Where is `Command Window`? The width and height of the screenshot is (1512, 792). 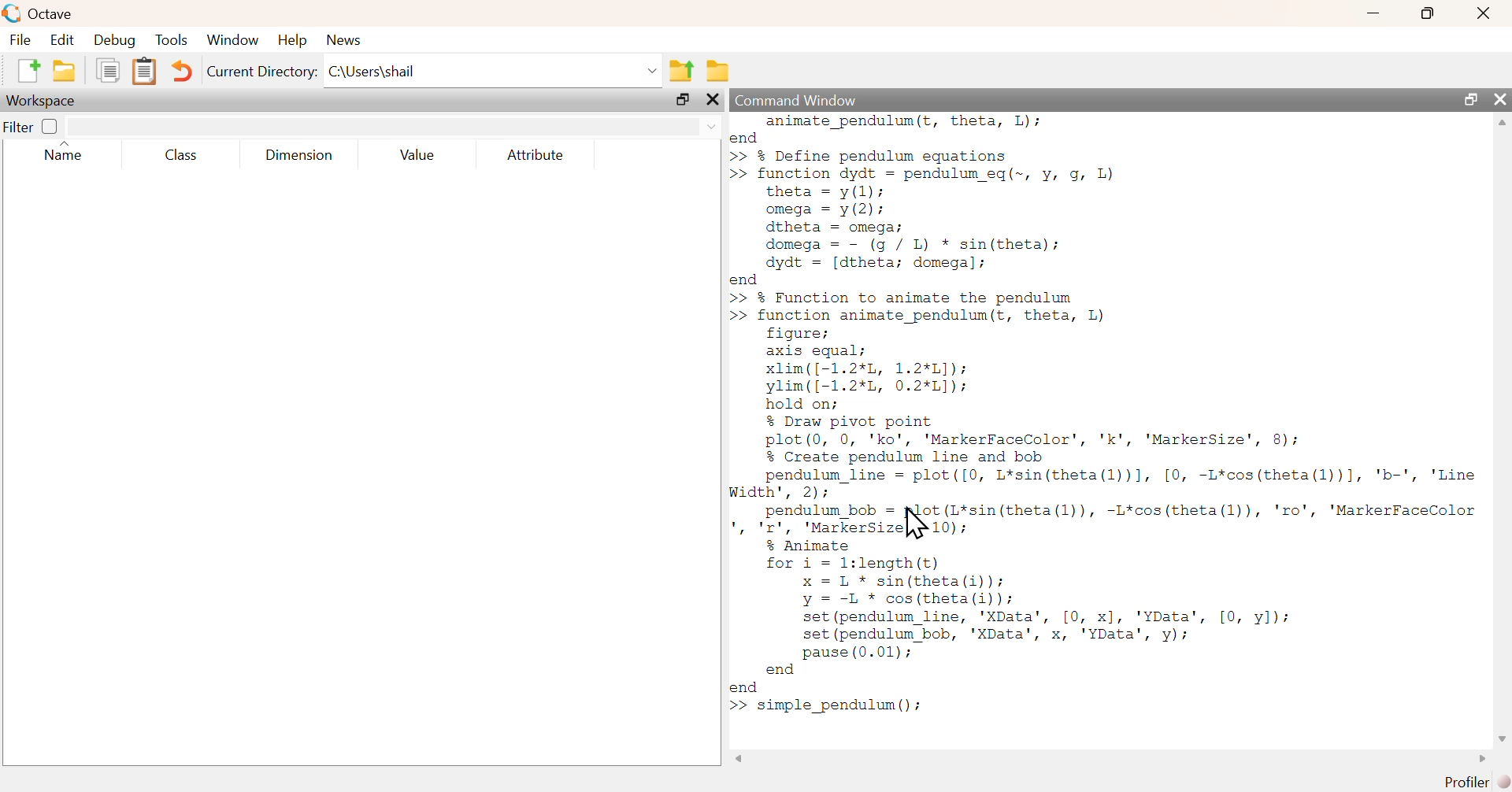 Command Window is located at coordinates (802, 100).